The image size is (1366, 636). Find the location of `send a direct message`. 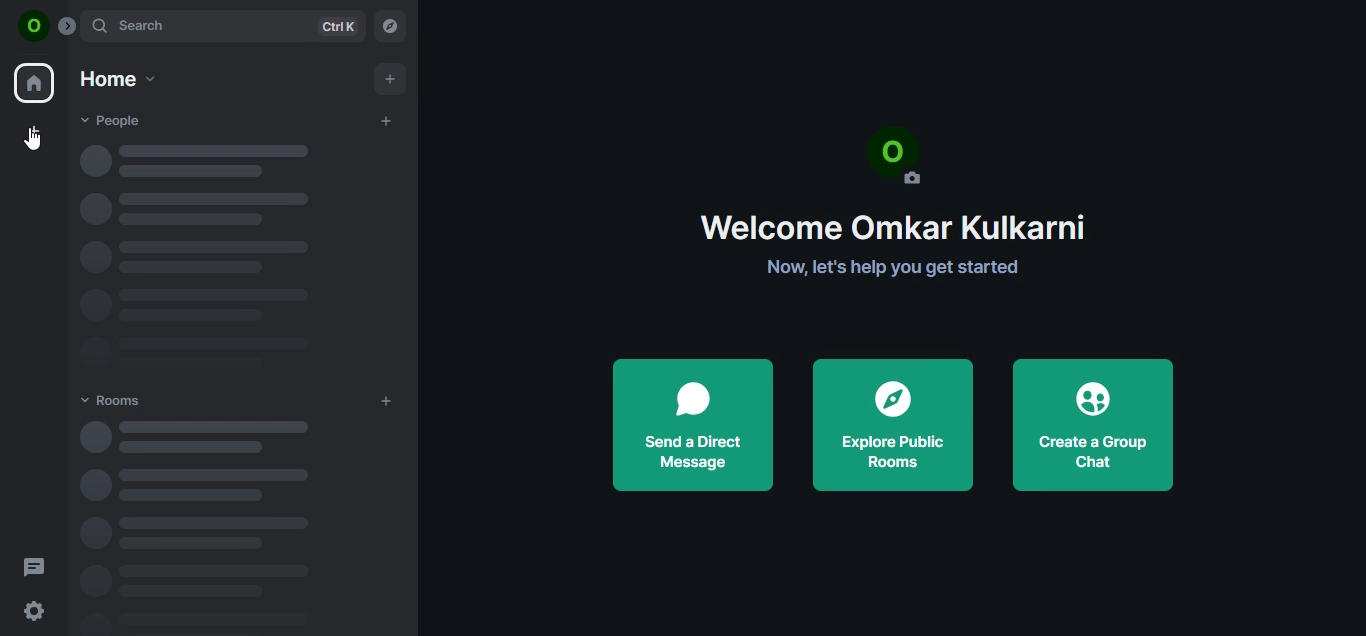

send a direct message is located at coordinates (691, 426).